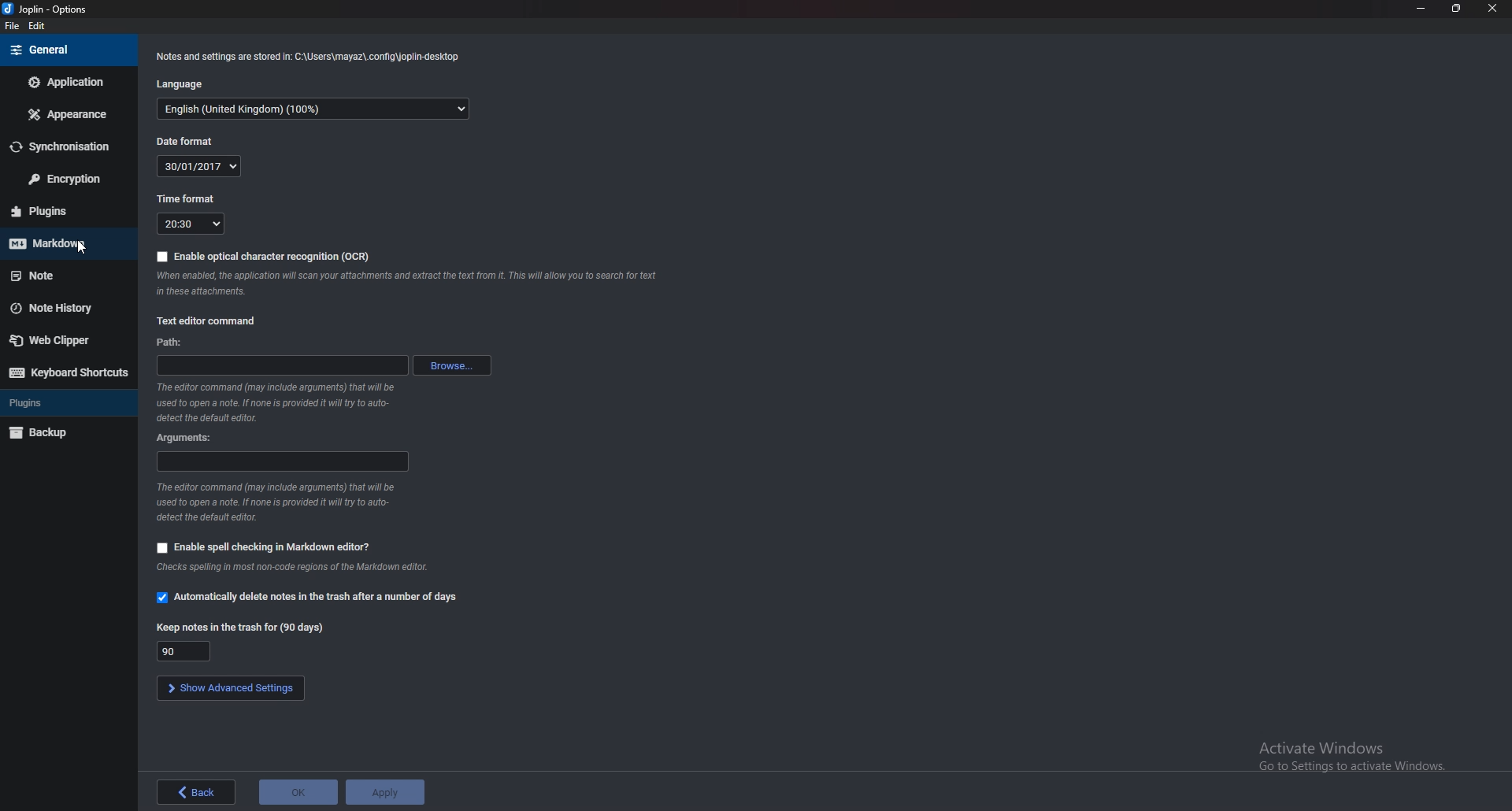 Image resolution: width=1512 pixels, height=811 pixels. I want to click on Info, so click(295, 567).